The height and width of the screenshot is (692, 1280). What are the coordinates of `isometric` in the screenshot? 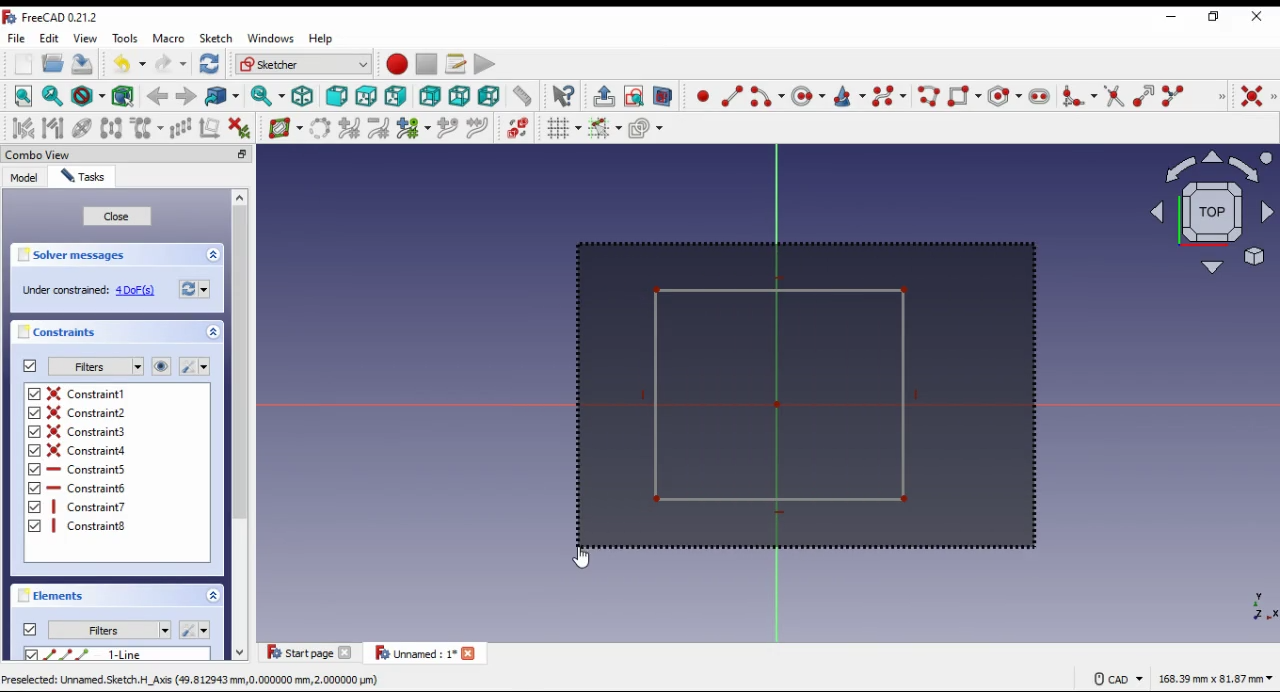 It's located at (303, 96).